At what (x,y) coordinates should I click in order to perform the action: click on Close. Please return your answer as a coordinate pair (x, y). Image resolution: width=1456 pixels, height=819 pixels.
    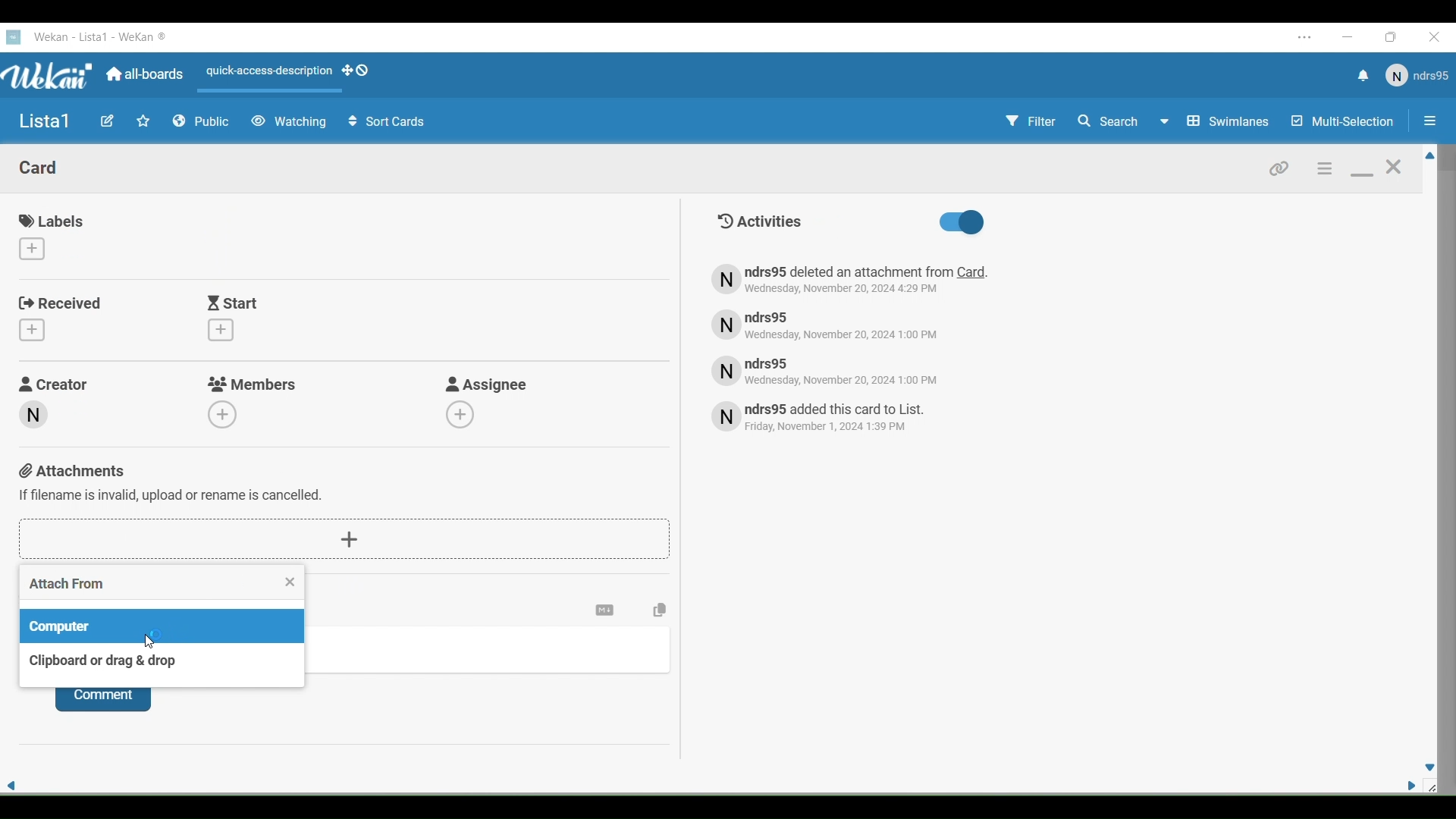
    Looking at the image, I should click on (1394, 171).